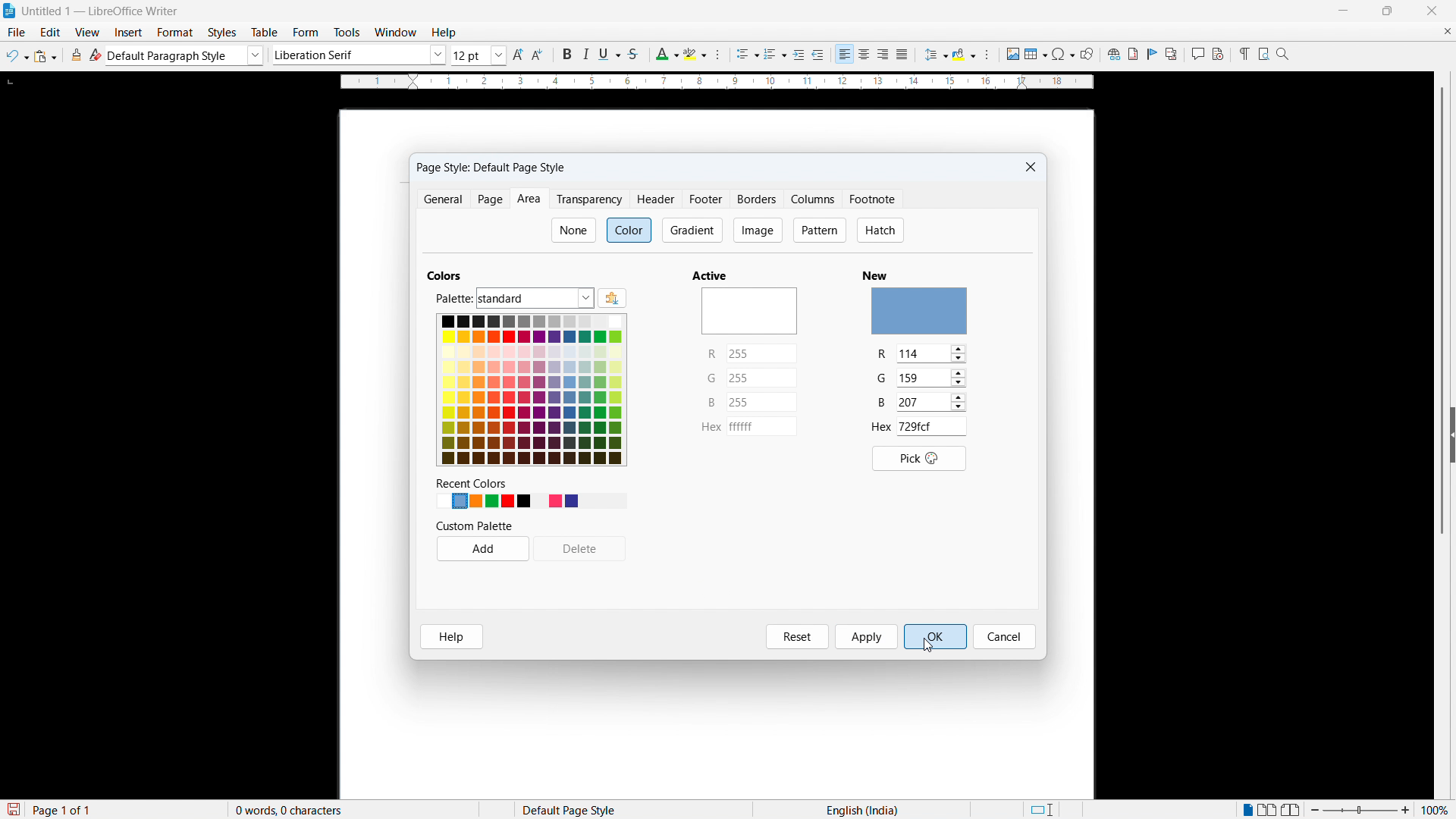 The image size is (1456, 819). I want to click on Pallete , so click(534, 298).